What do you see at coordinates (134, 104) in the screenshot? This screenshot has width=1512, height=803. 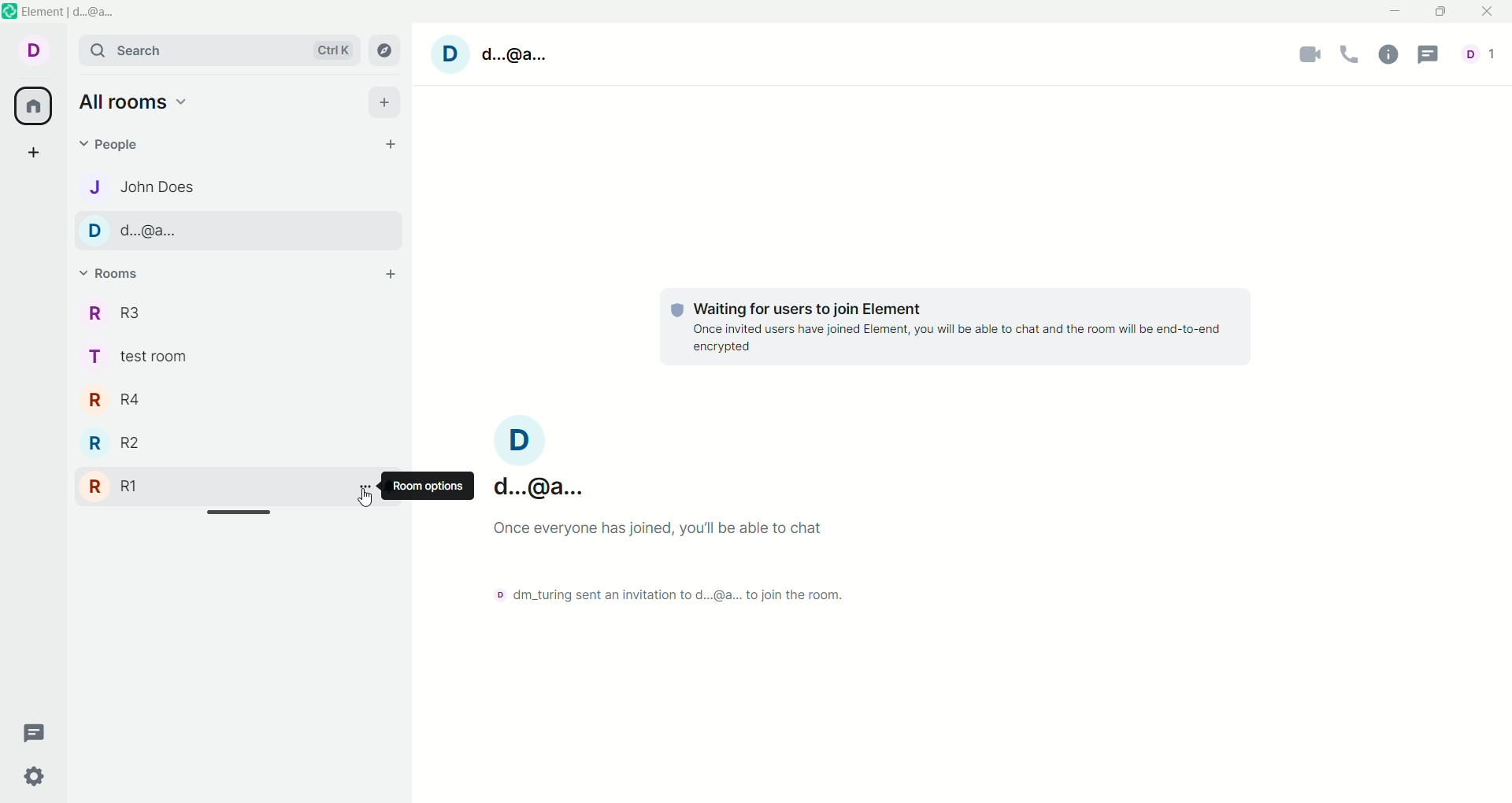 I see `all rooms` at bounding box center [134, 104].